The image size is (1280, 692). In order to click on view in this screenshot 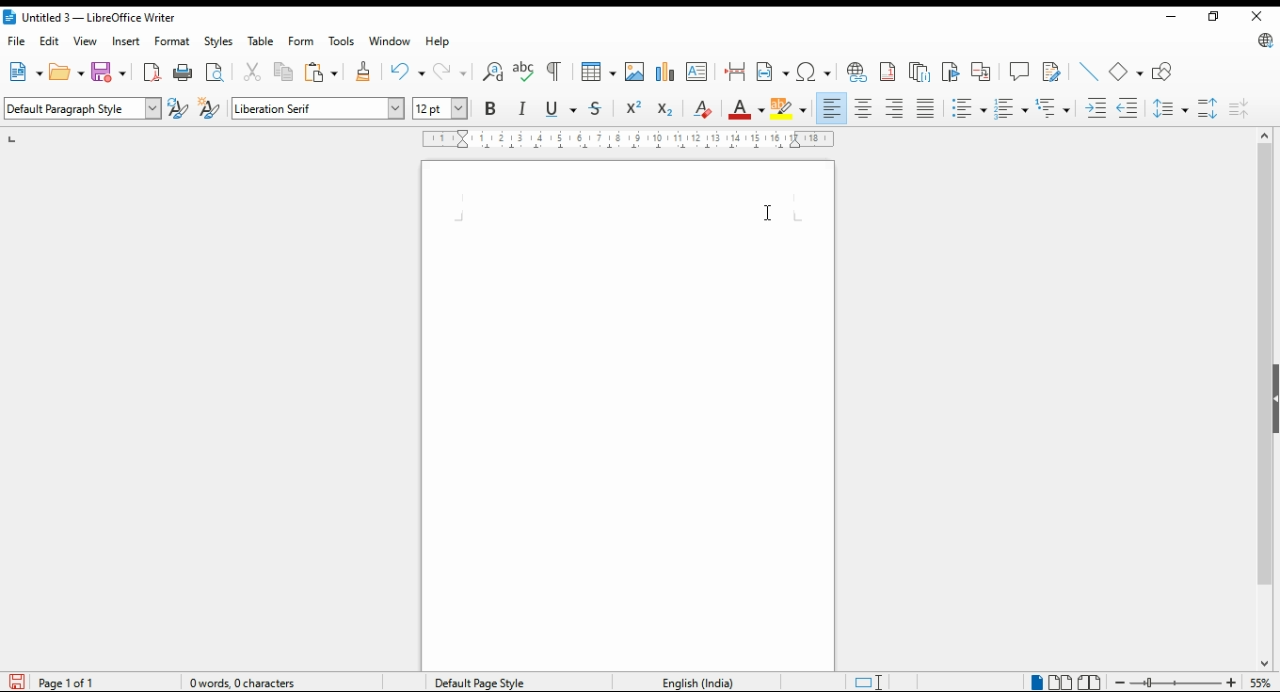, I will do `click(85, 41)`.